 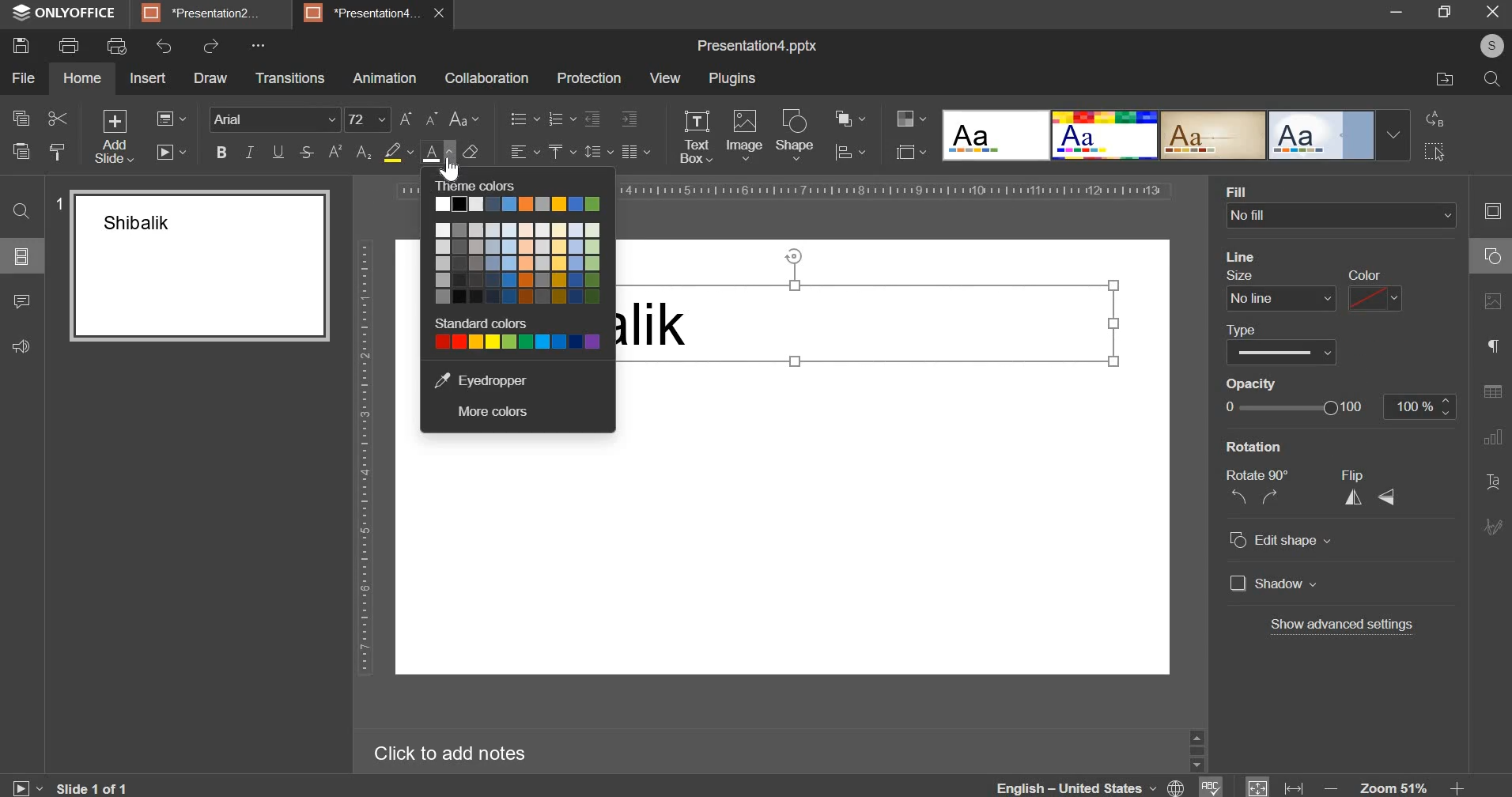 What do you see at coordinates (115, 47) in the screenshot?
I see `print preview` at bounding box center [115, 47].